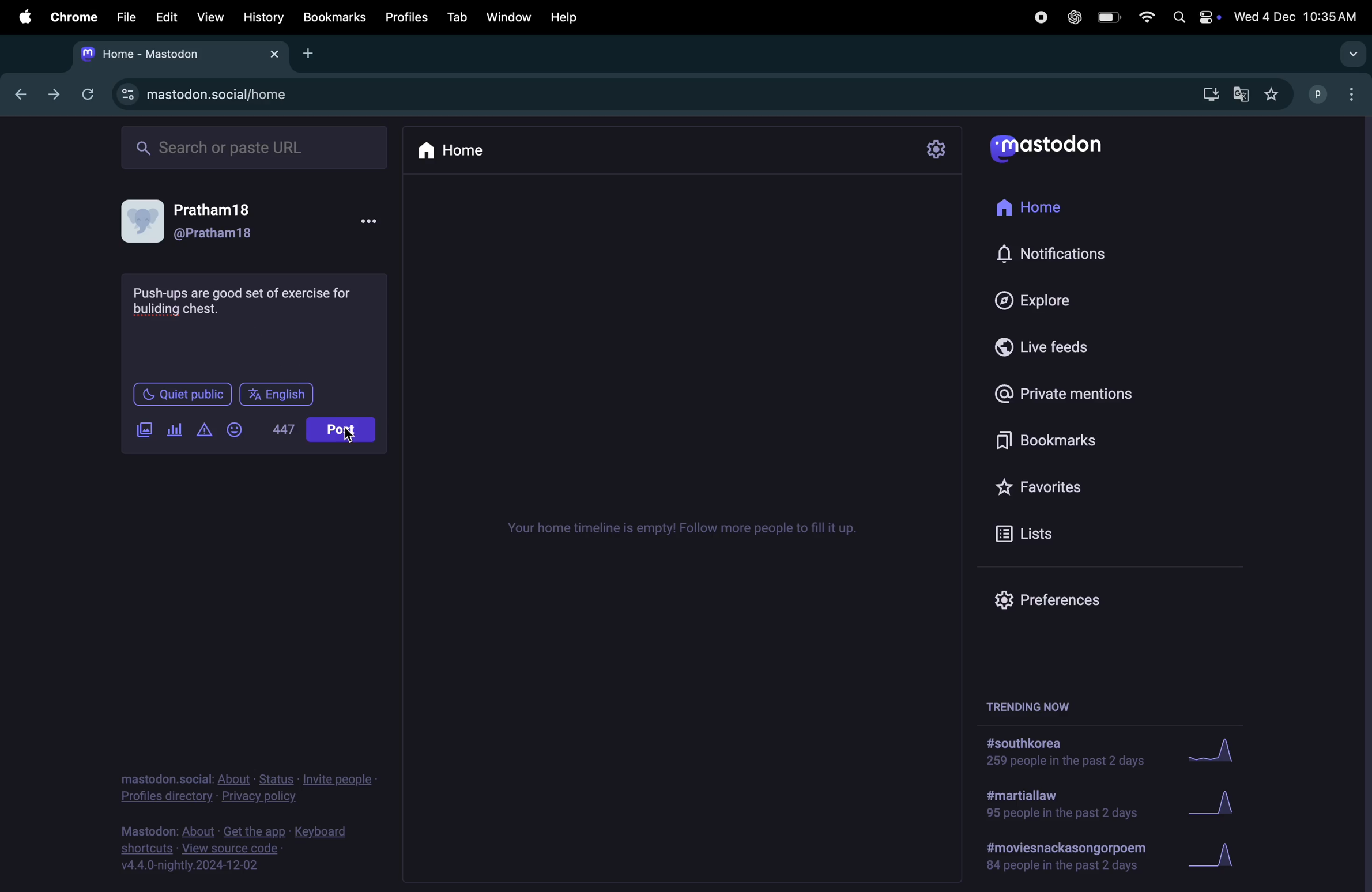 Image resolution: width=1372 pixels, height=892 pixels. What do you see at coordinates (246, 785) in the screenshot?
I see `privacy and policy` at bounding box center [246, 785].